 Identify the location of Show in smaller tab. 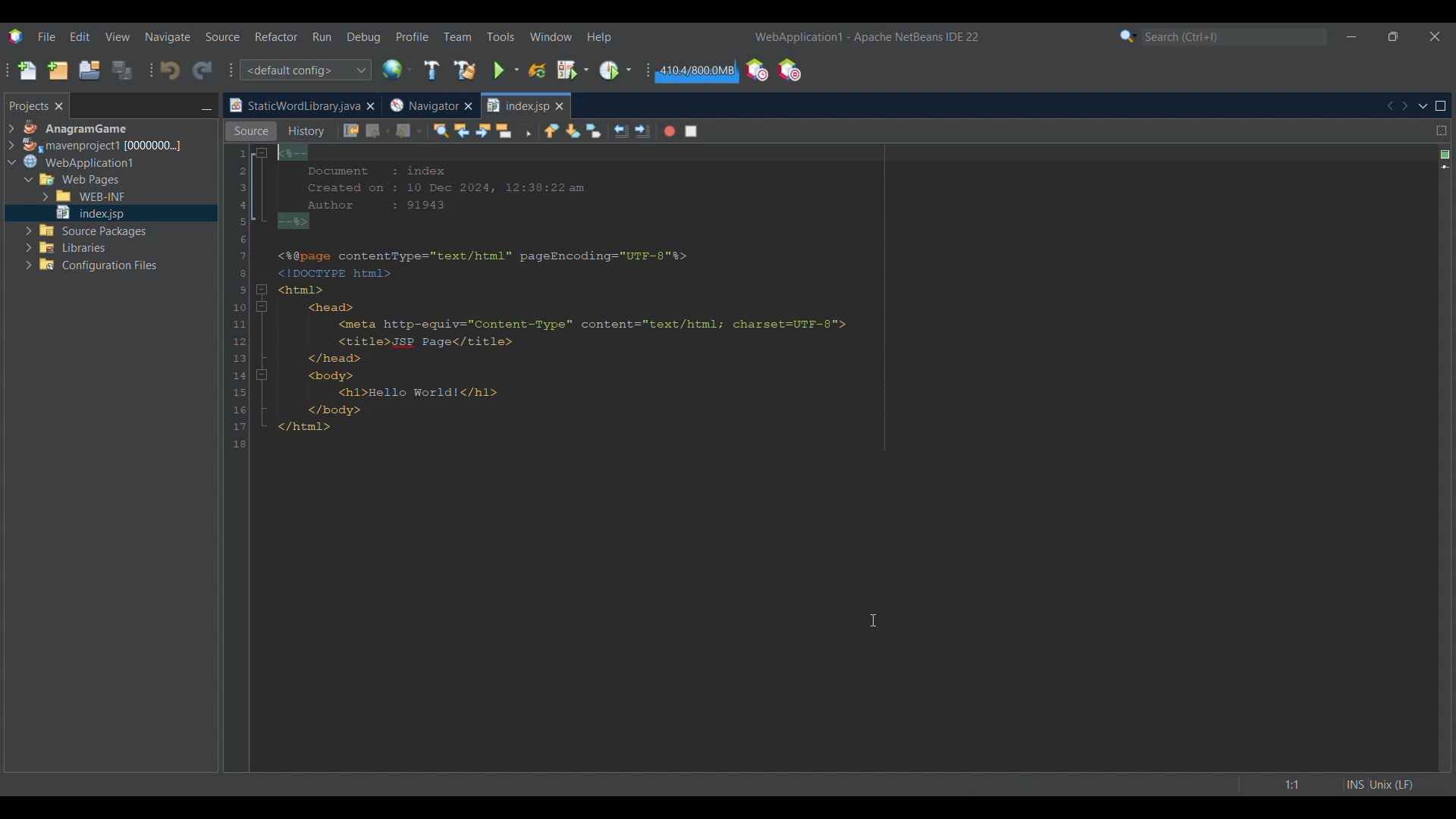
(1393, 36).